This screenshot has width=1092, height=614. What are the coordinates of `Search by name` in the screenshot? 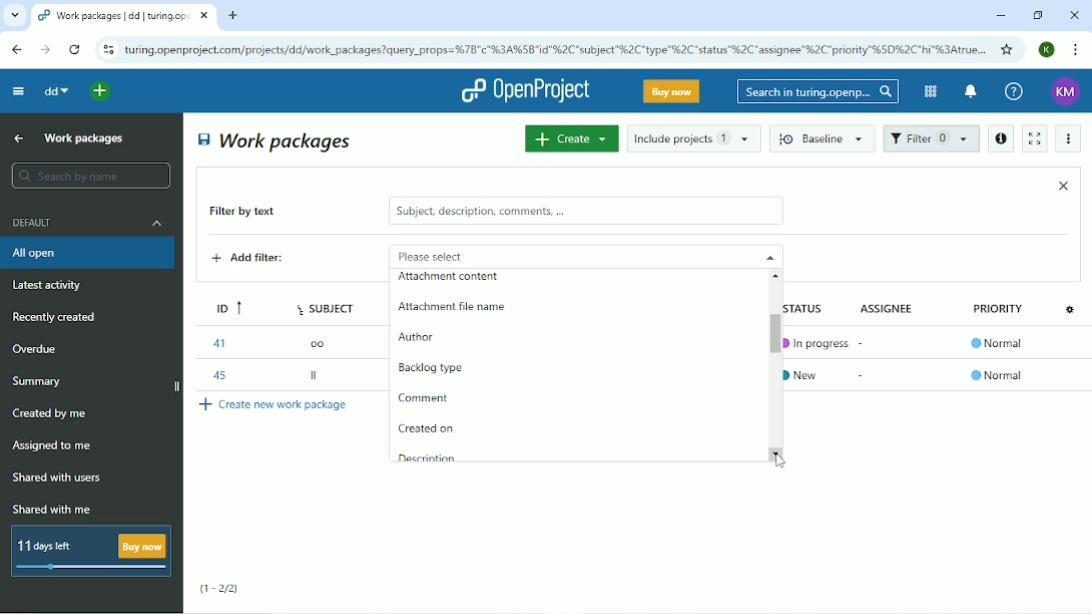 It's located at (90, 176).